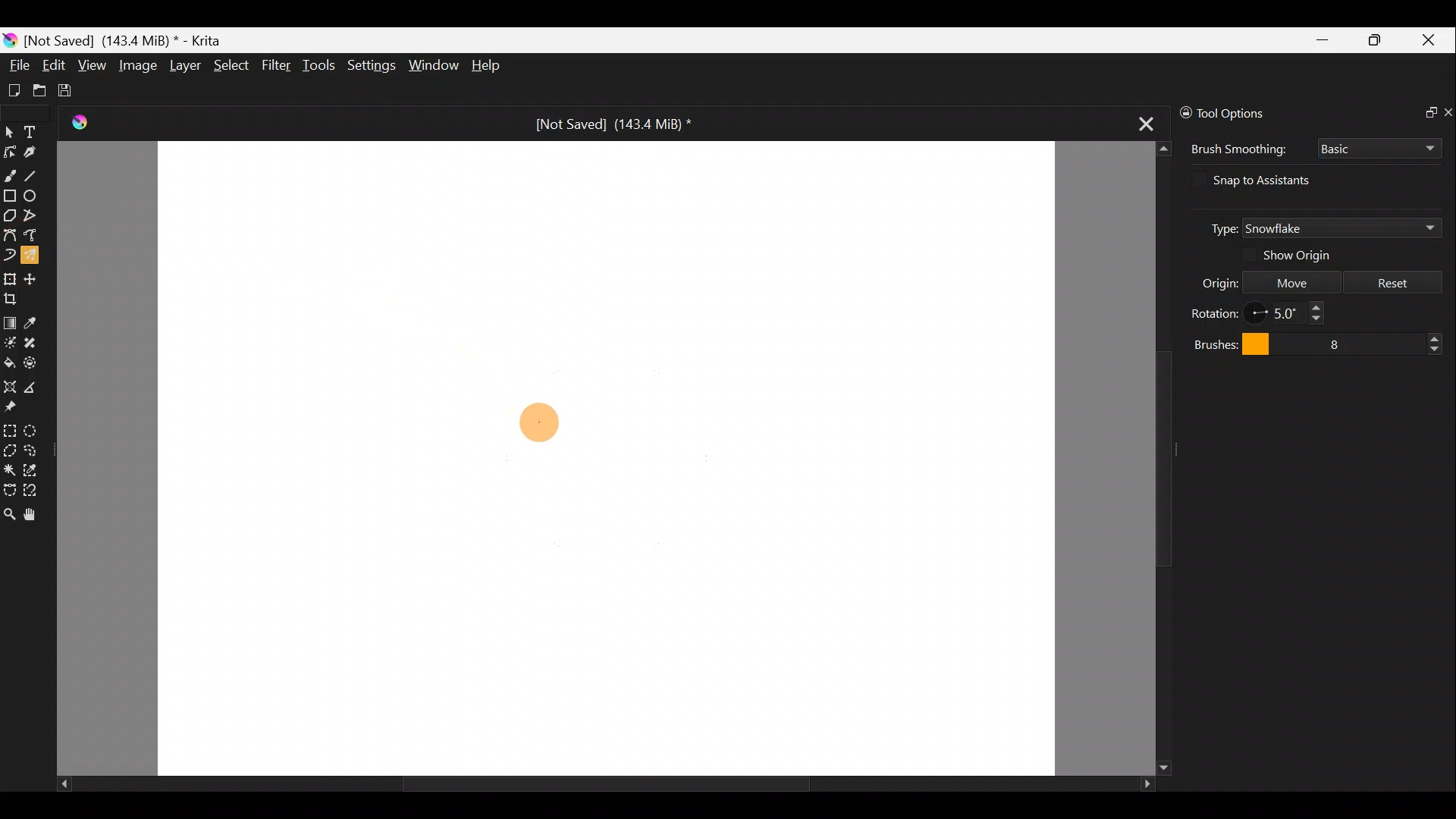  Describe the element at coordinates (606, 457) in the screenshot. I see `Canvas` at that location.